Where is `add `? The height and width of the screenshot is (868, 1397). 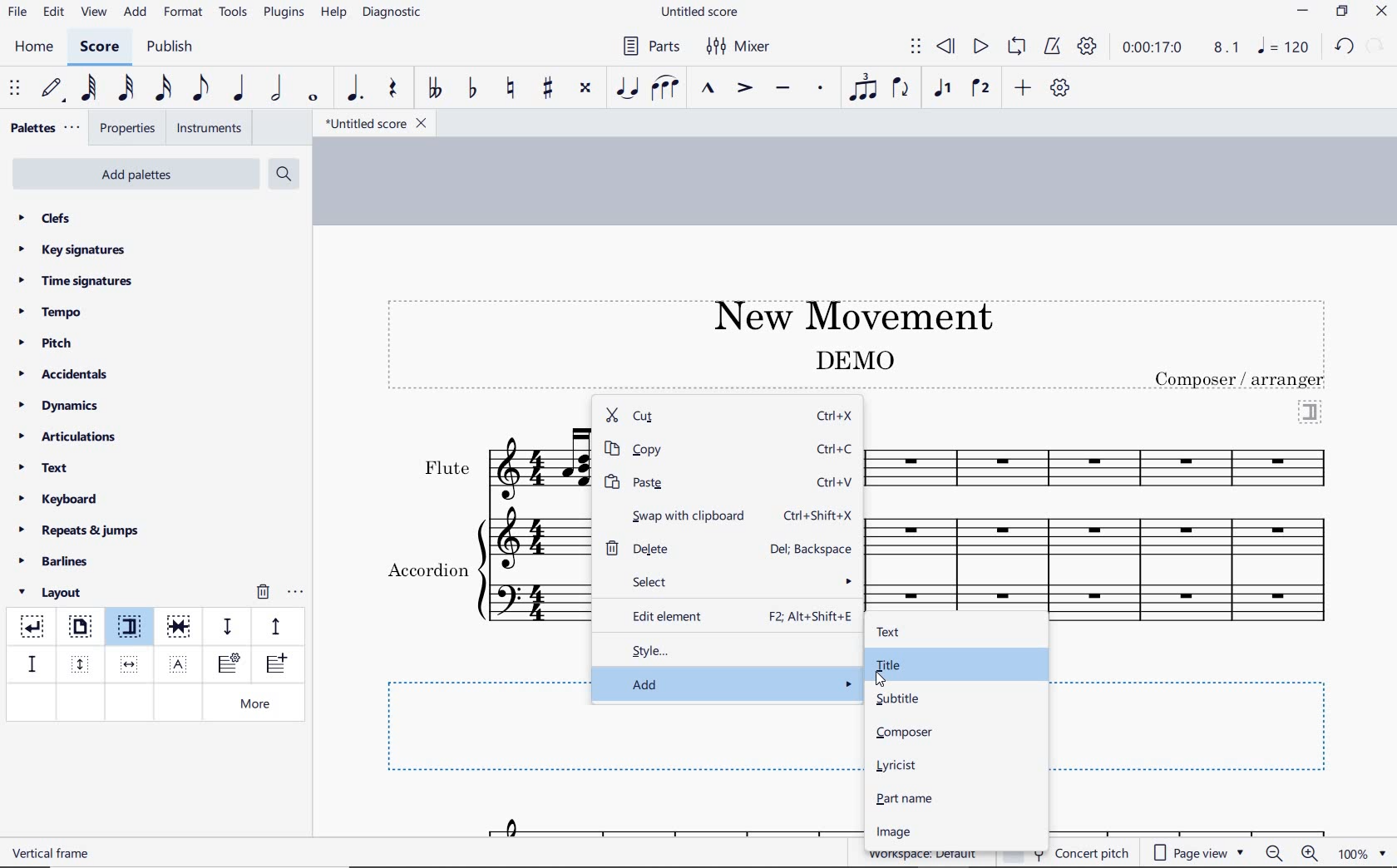
add  is located at coordinates (137, 12).